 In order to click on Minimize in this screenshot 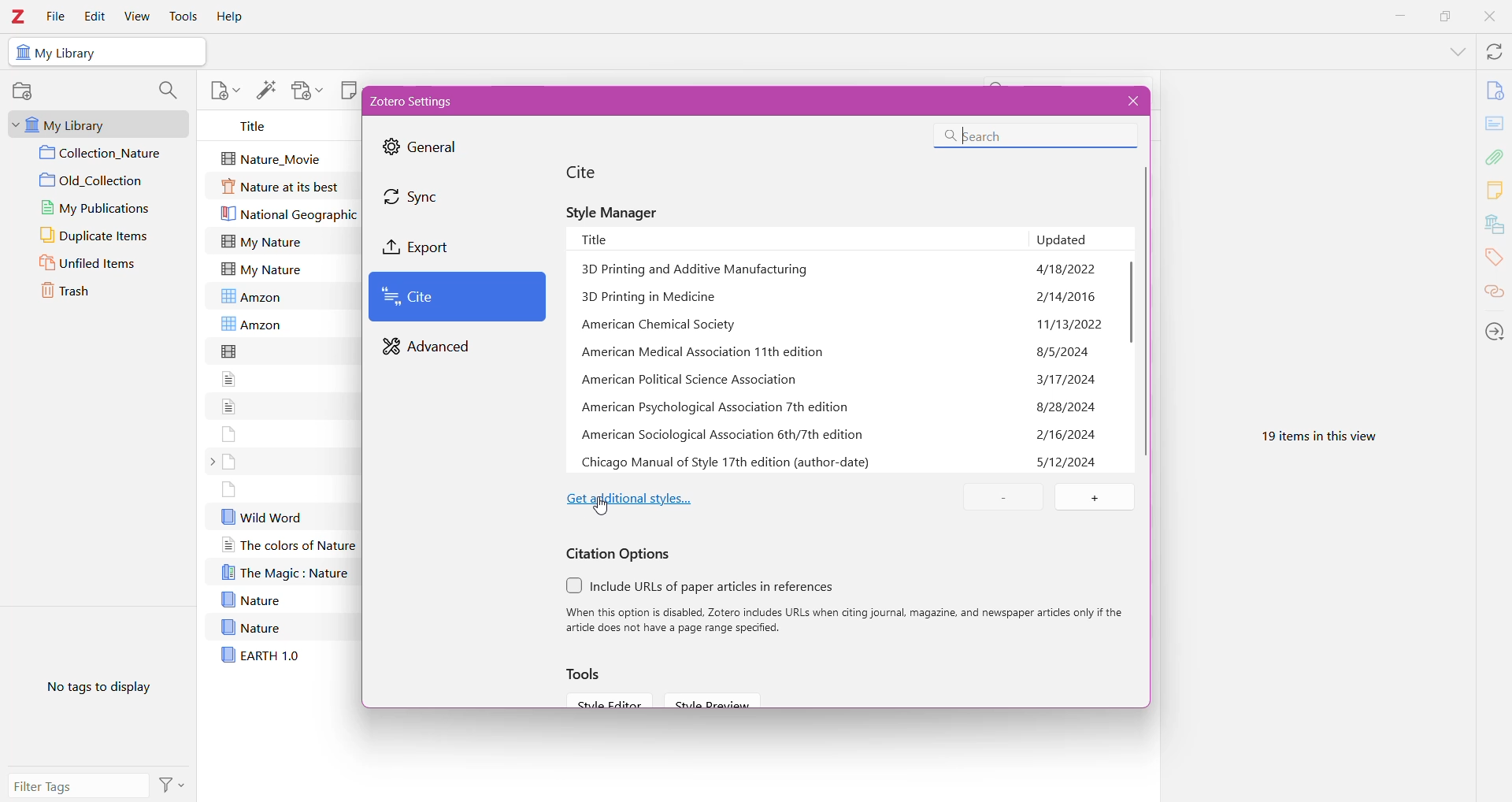, I will do `click(1402, 17)`.